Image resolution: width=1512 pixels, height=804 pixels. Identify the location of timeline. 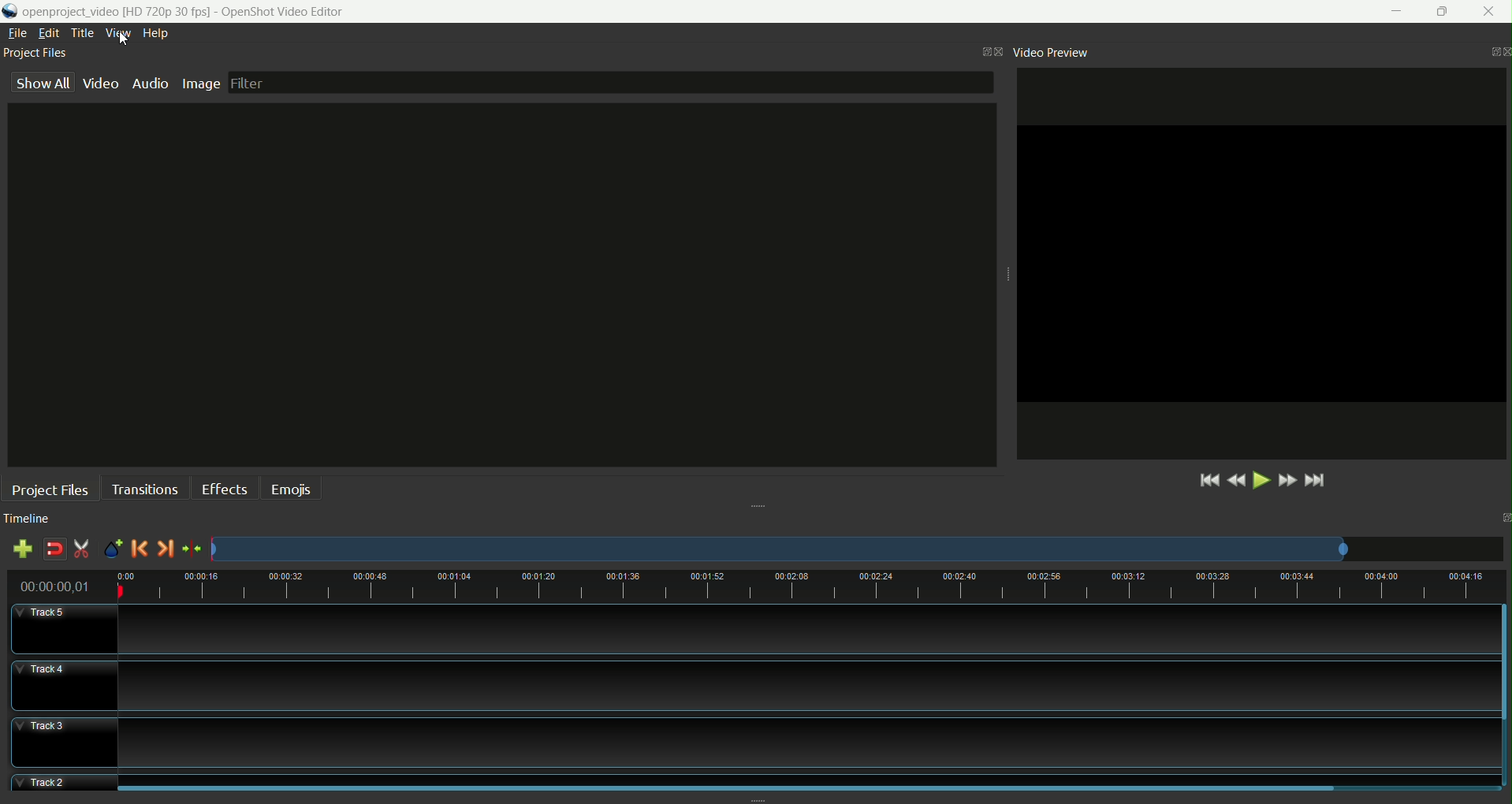
(37, 519).